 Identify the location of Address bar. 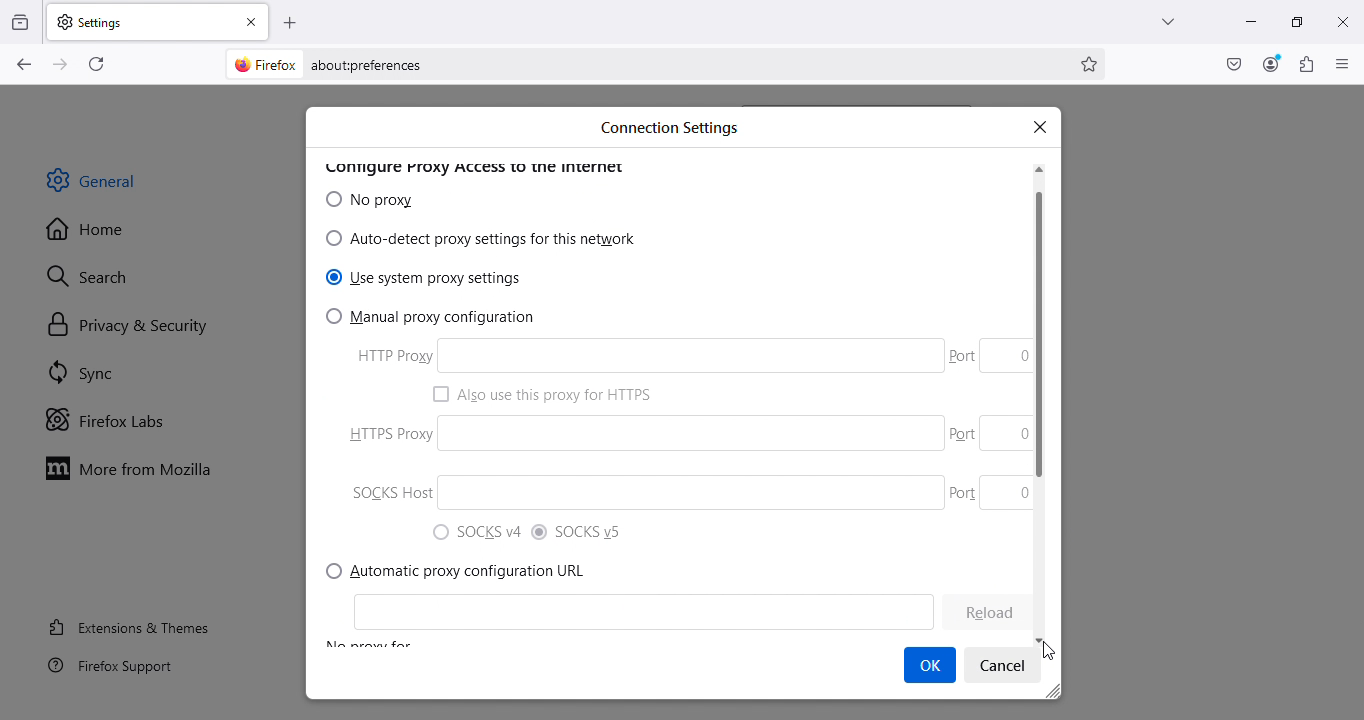
(690, 64).